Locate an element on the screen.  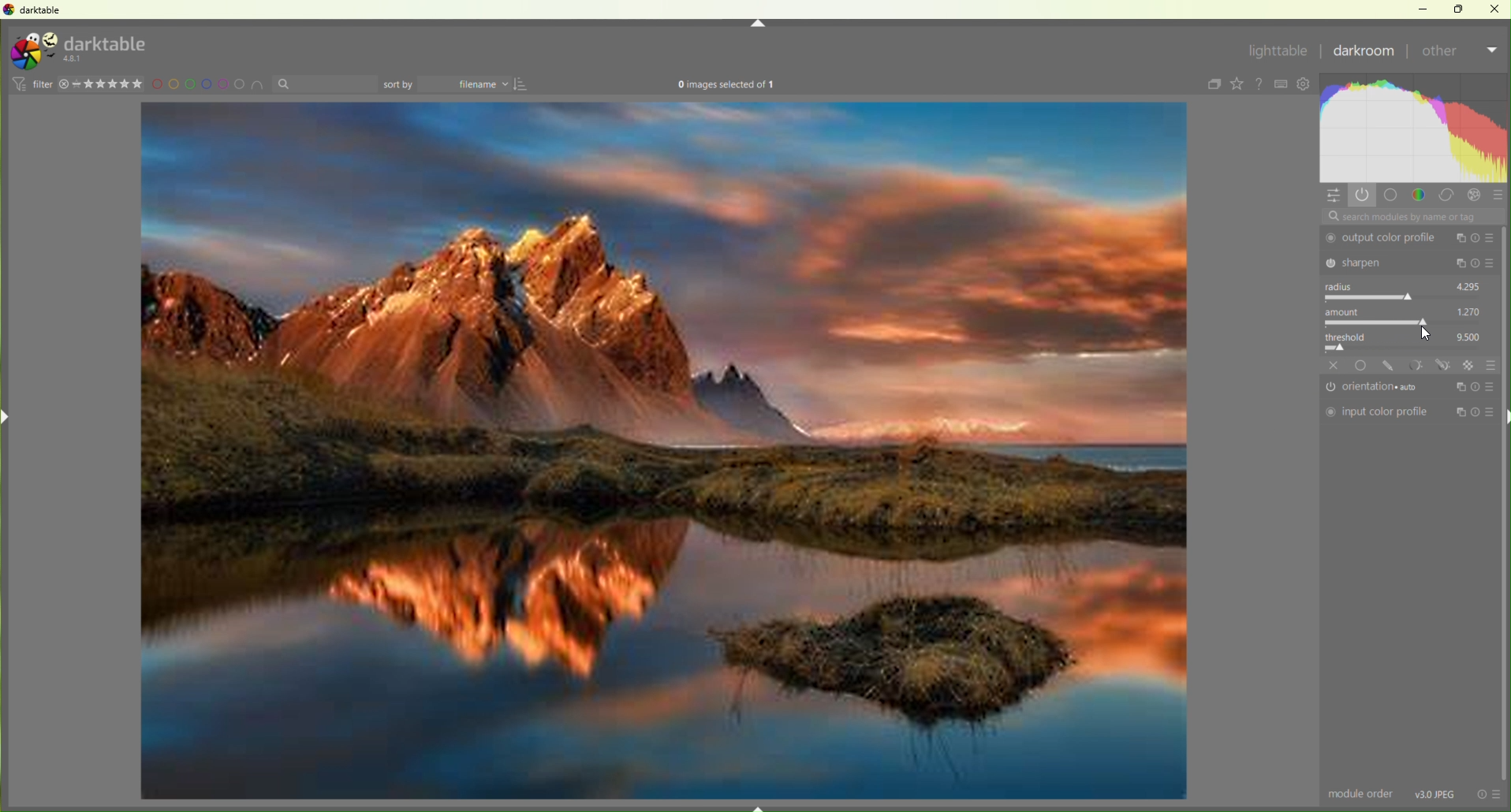
sort by is located at coordinates (325, 84).